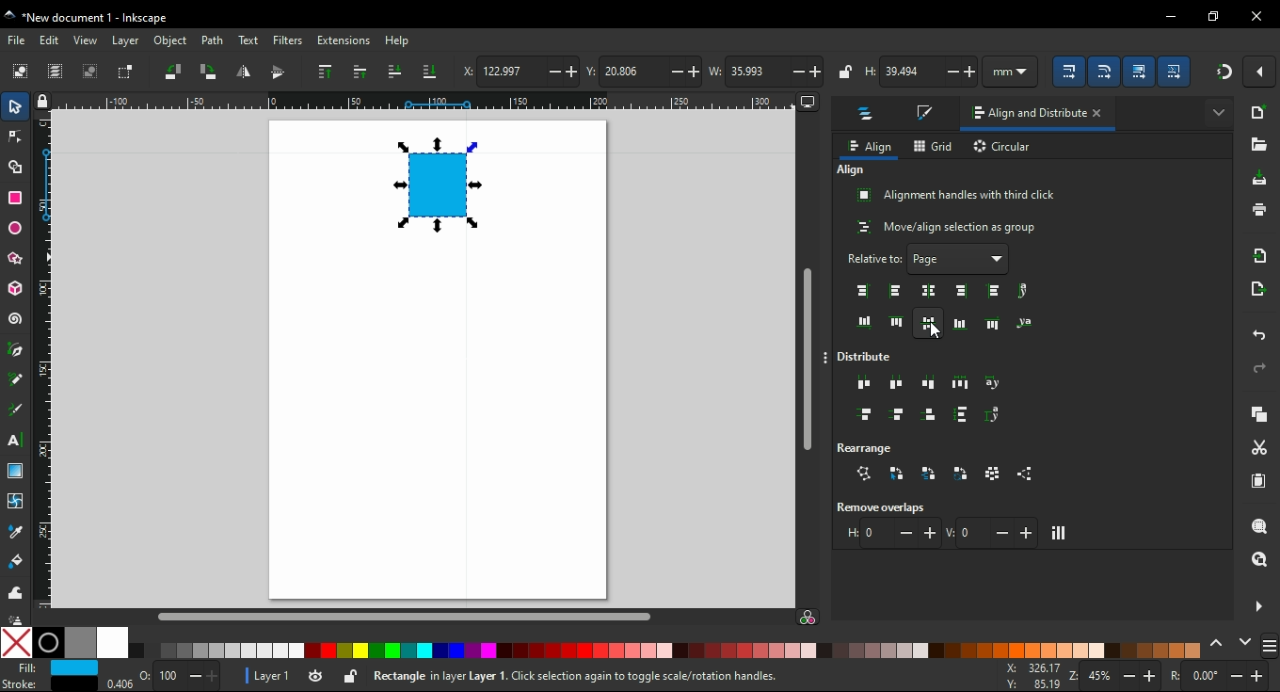 This screenshot has height=692, width=1280. What do you see at coordinates (886, 507) in the screenshot?
I see `remove overlaps` at bounding box center [886, 507].